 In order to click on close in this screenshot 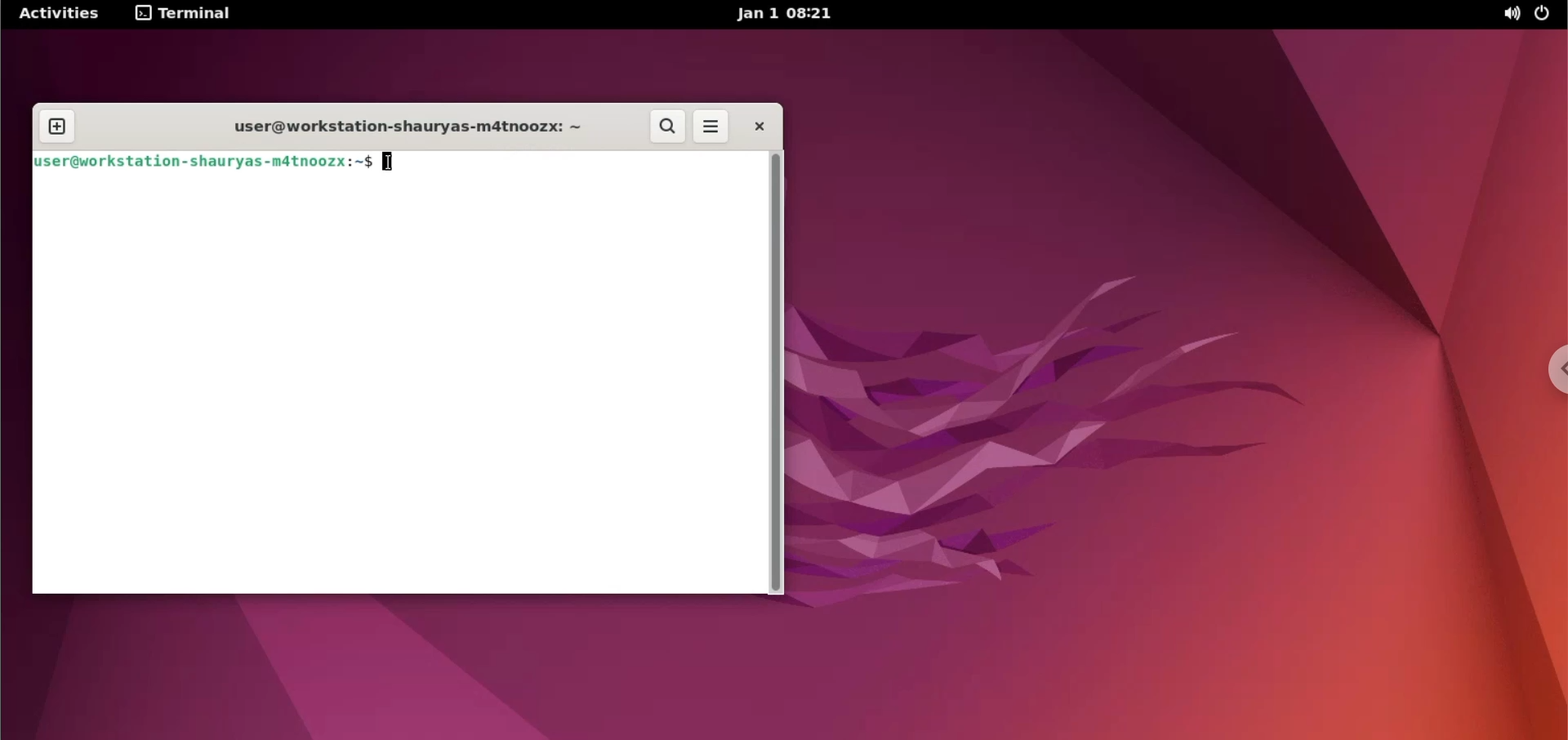, I will do `click(752, 126)`.